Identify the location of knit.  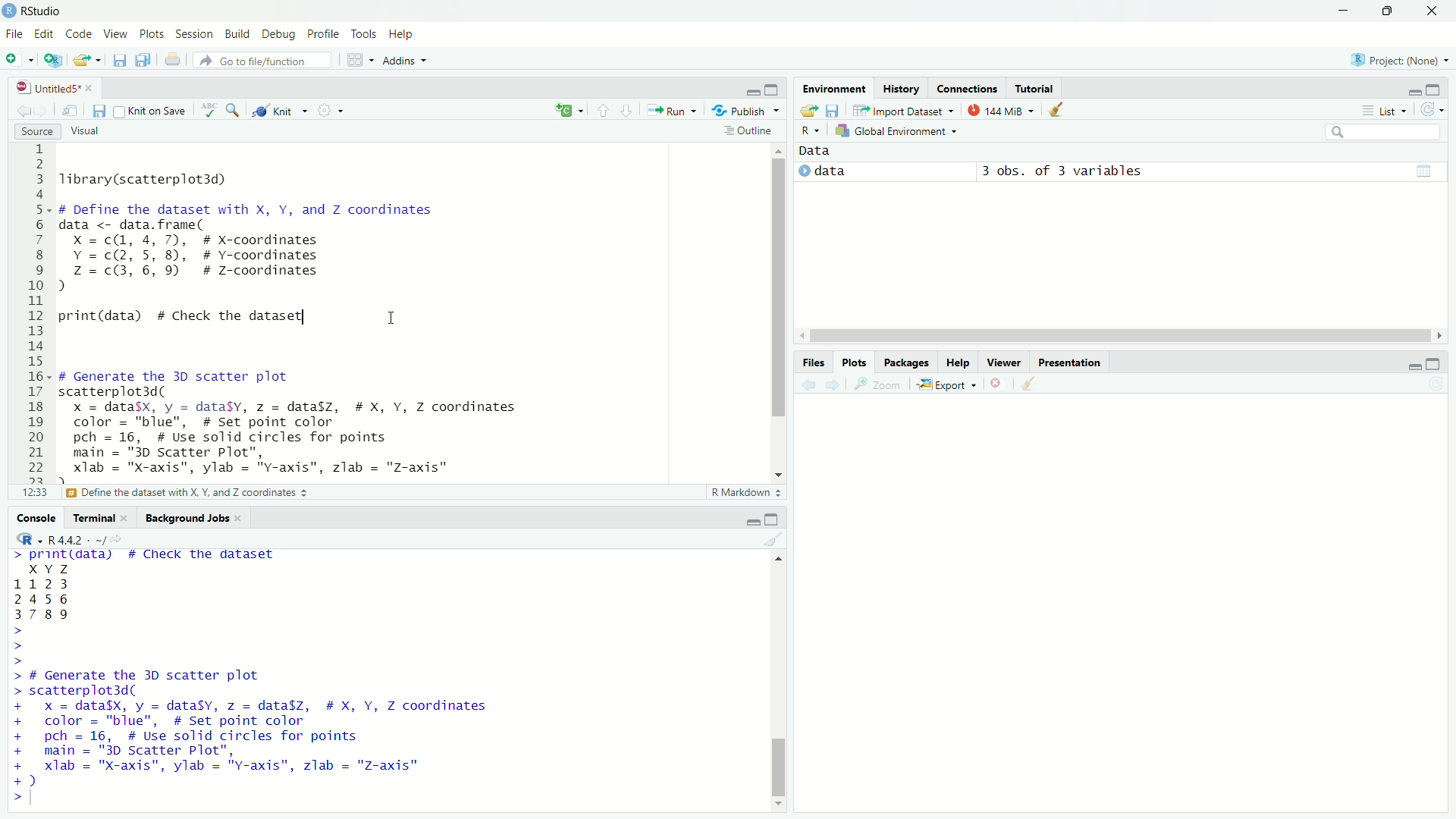
(278, 108).